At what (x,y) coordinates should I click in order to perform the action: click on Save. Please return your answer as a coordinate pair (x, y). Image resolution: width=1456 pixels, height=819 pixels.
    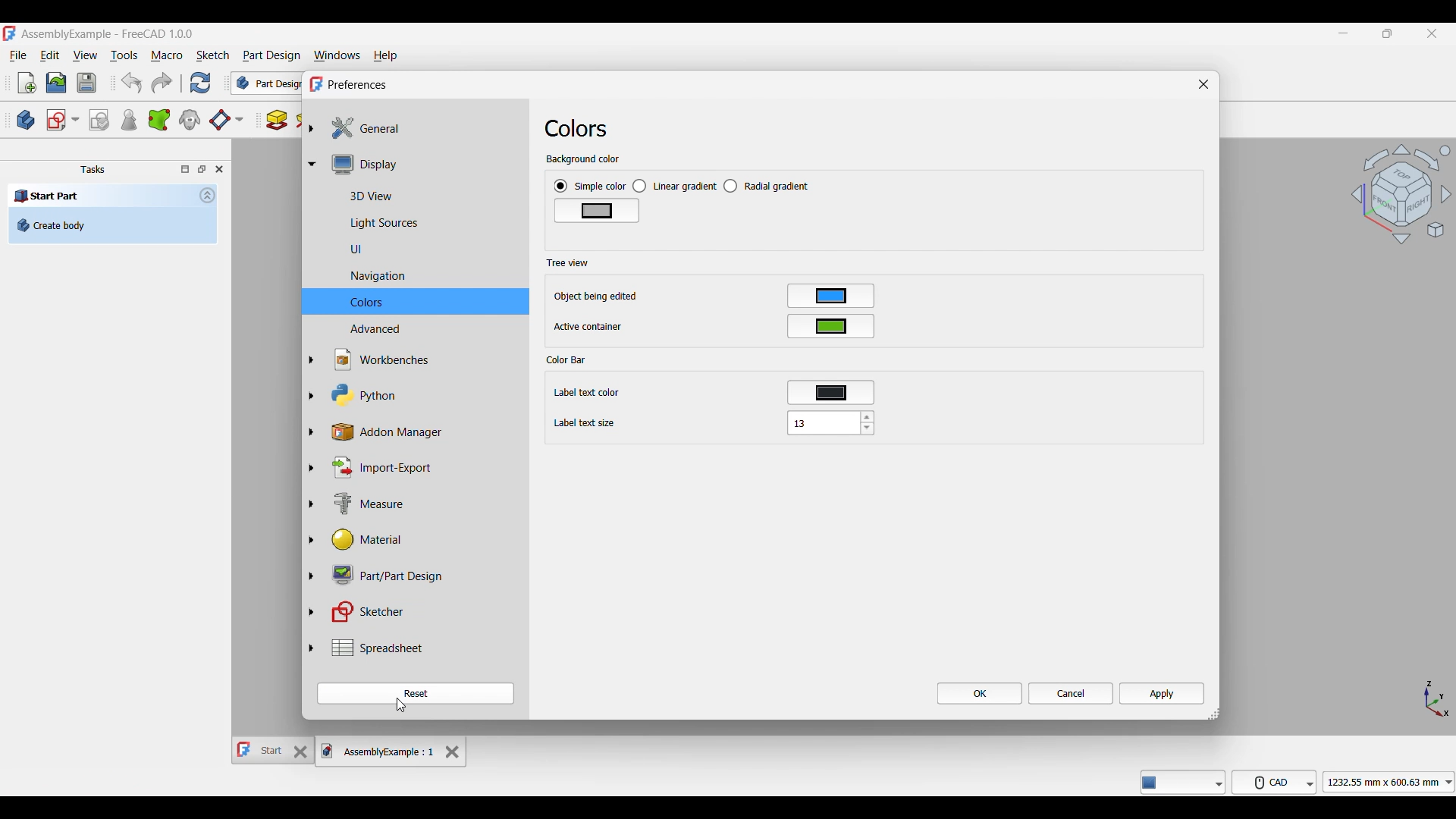
    Looking at the image, I should click on (87, 83).